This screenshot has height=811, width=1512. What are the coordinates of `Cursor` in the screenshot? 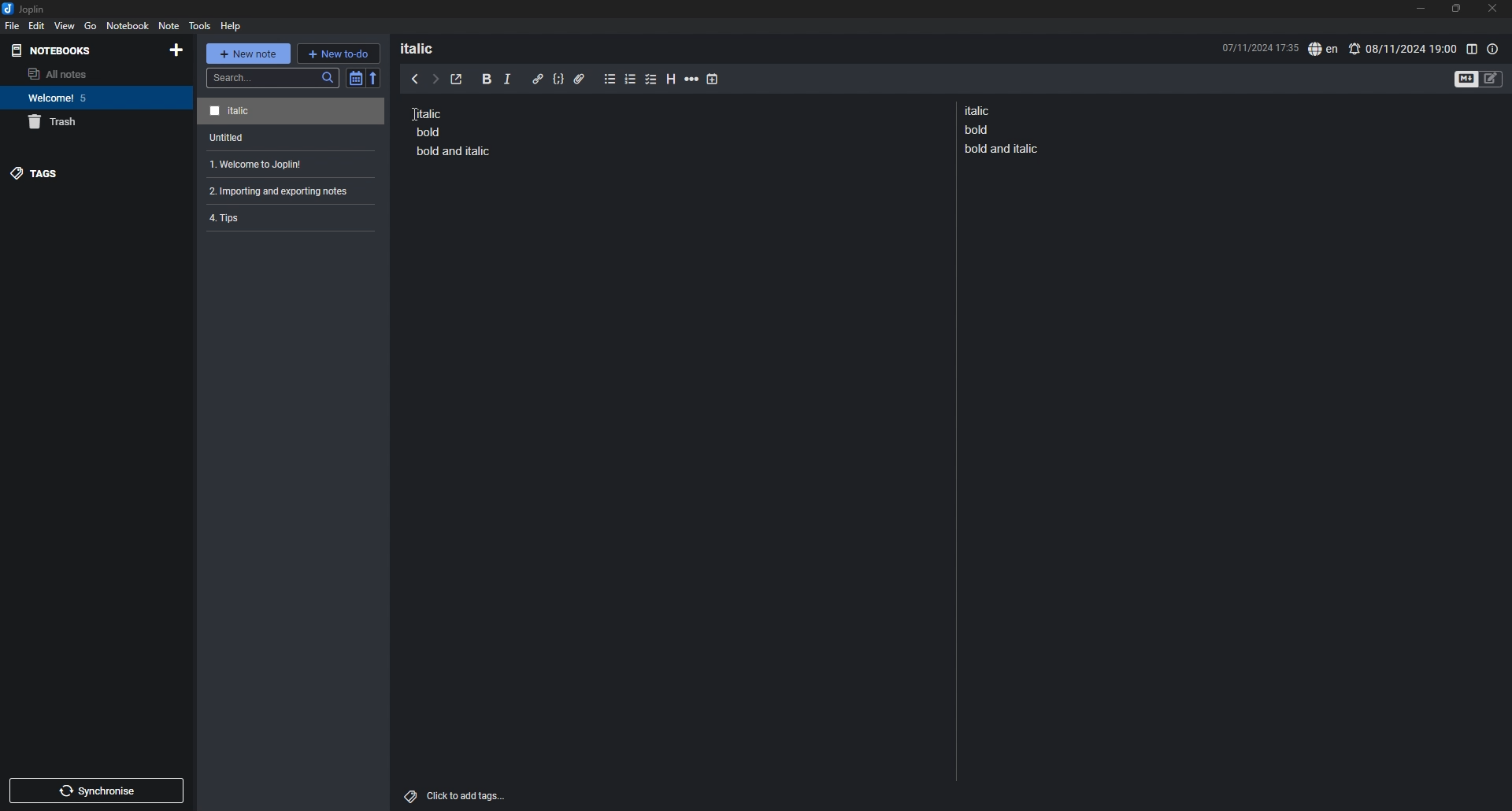 It's located at (415, 114).